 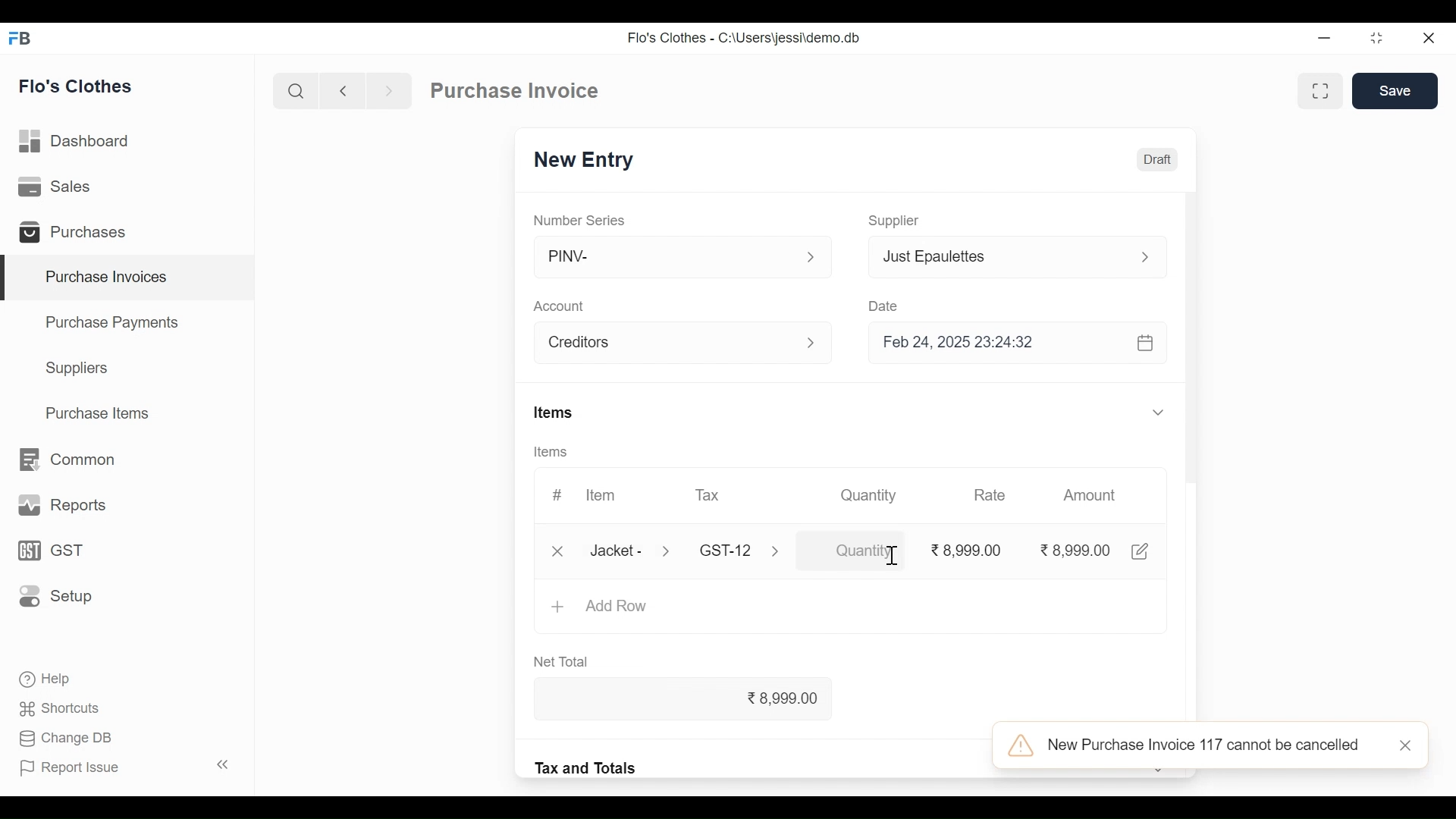 I want to click on Tax and Totals, so click(x=588, y=767).